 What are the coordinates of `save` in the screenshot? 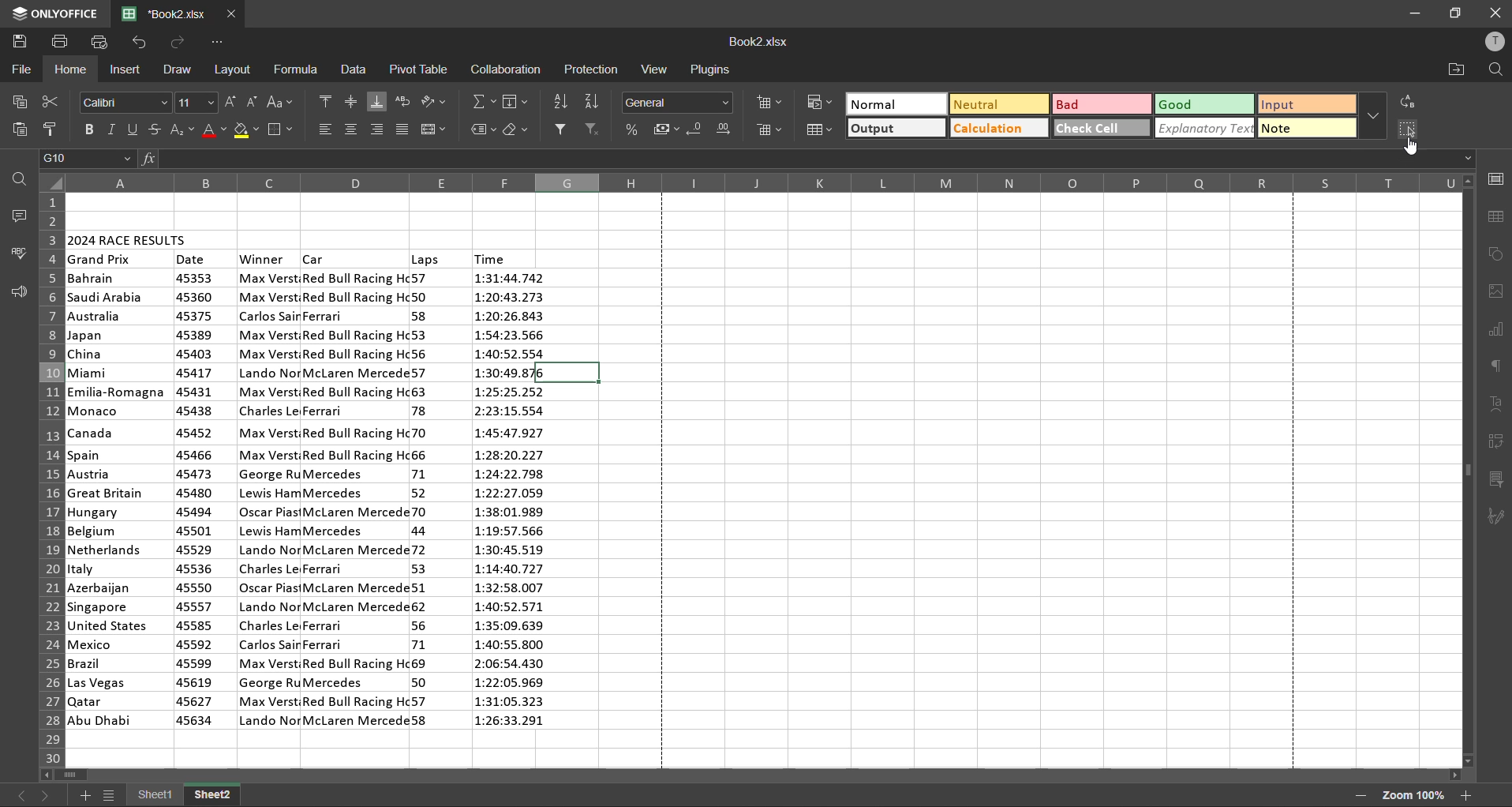 It's located at (22, 43).